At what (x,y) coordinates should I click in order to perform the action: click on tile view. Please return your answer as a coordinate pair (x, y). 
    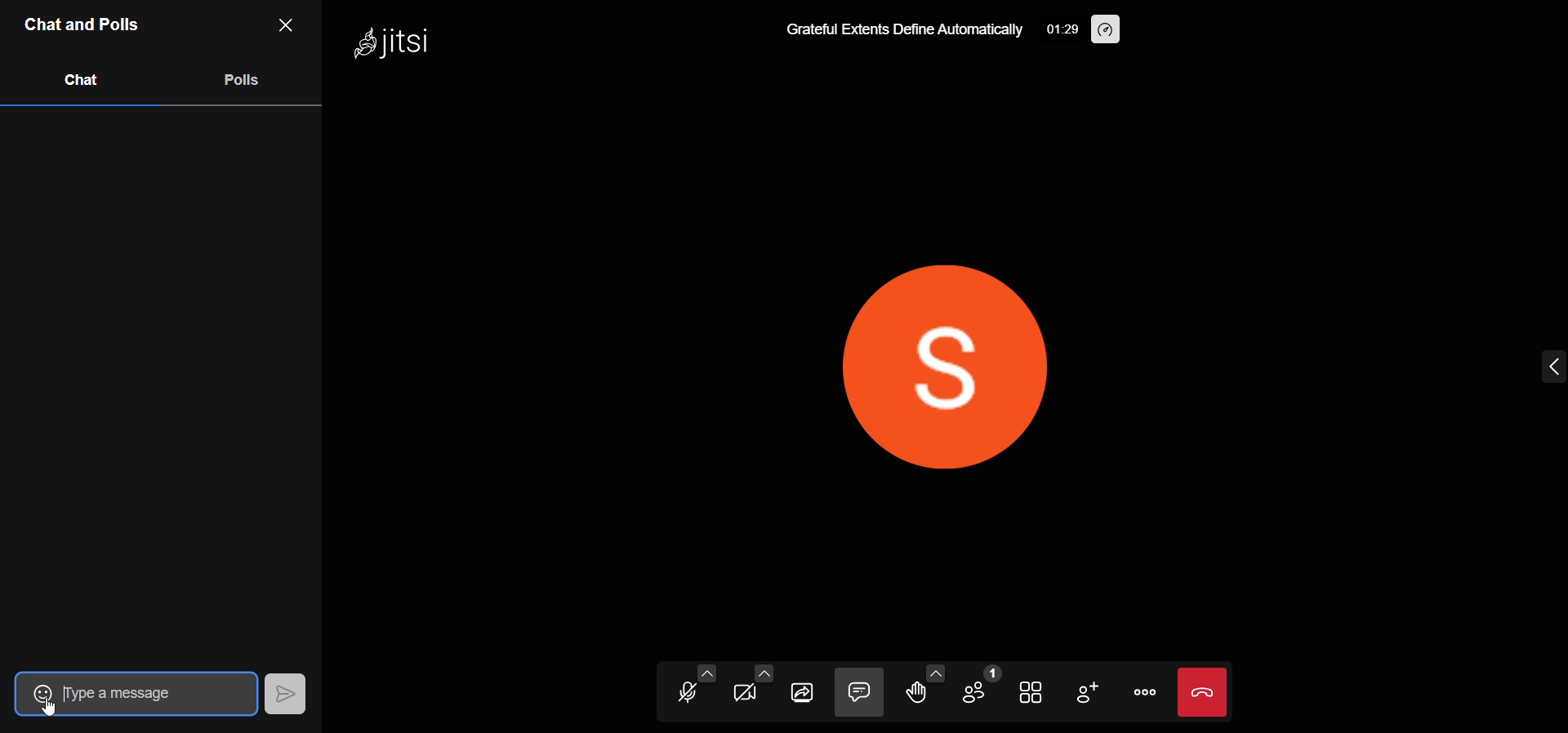
    Looking at the image, I should click on (1033, 692).